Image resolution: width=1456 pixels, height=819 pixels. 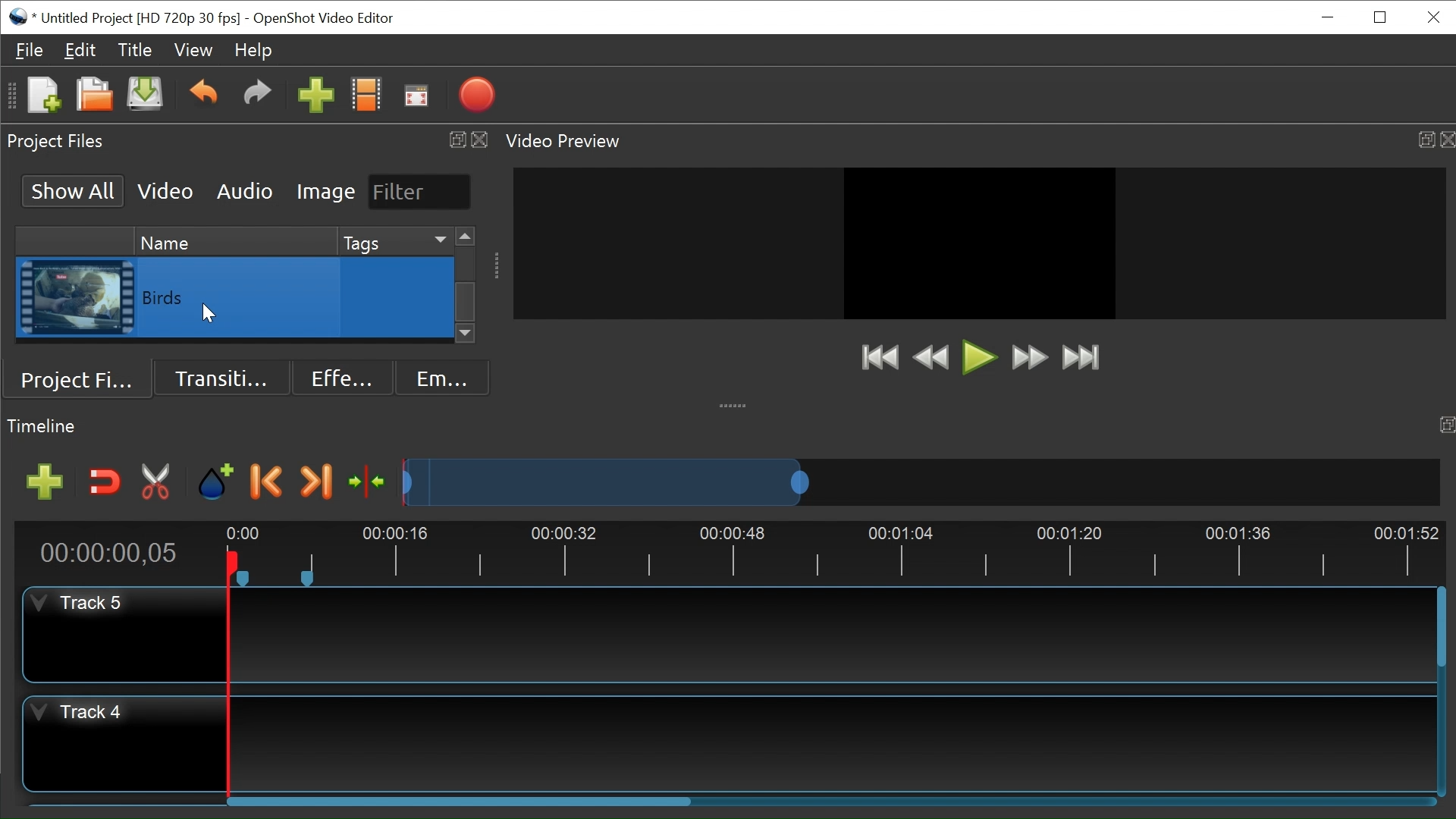 What do you see at coordinates (144, 17) in the screenshot?
I see `Project Name` at bounding box center [144, 17].